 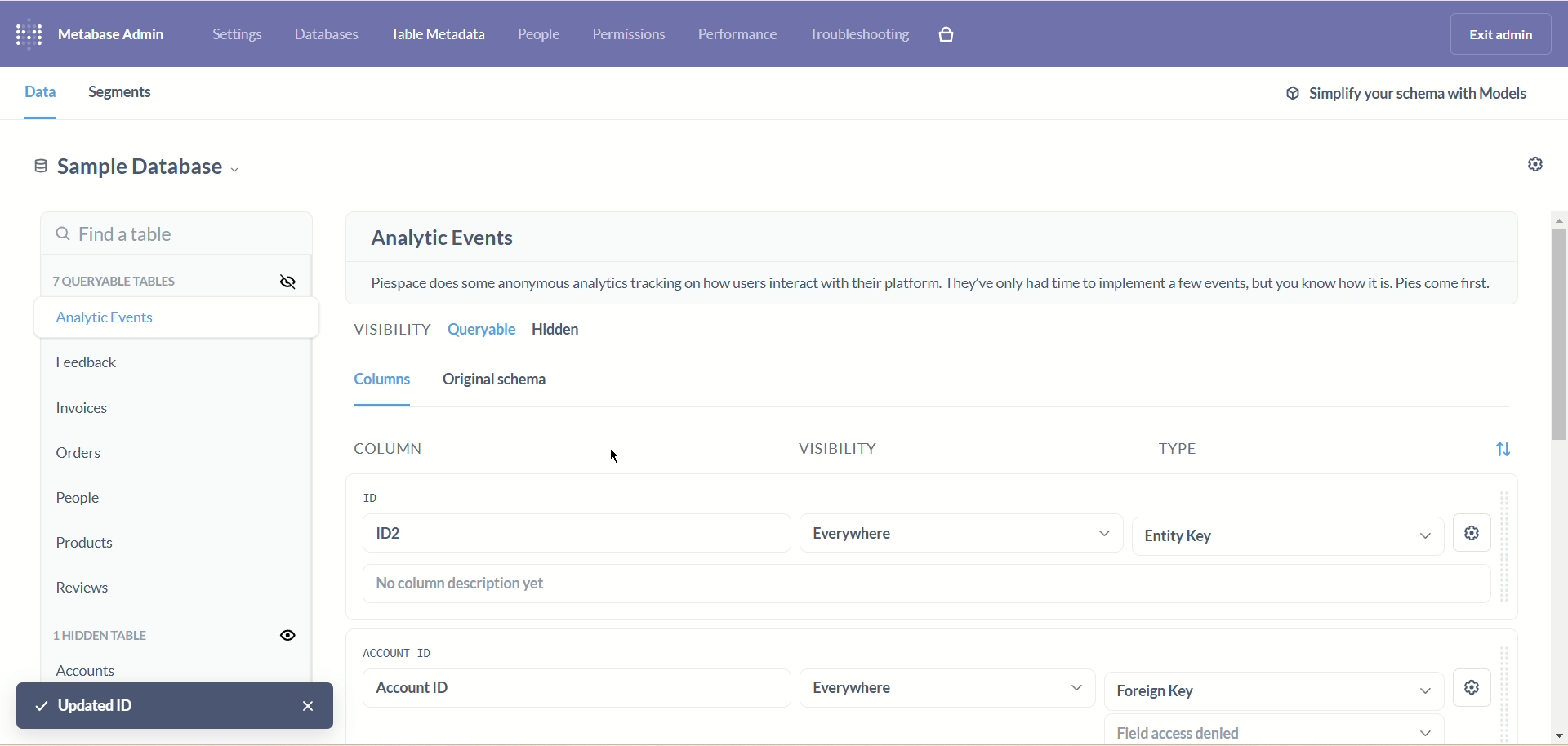 I want to click on Visibility, so click(x=834, y=449).